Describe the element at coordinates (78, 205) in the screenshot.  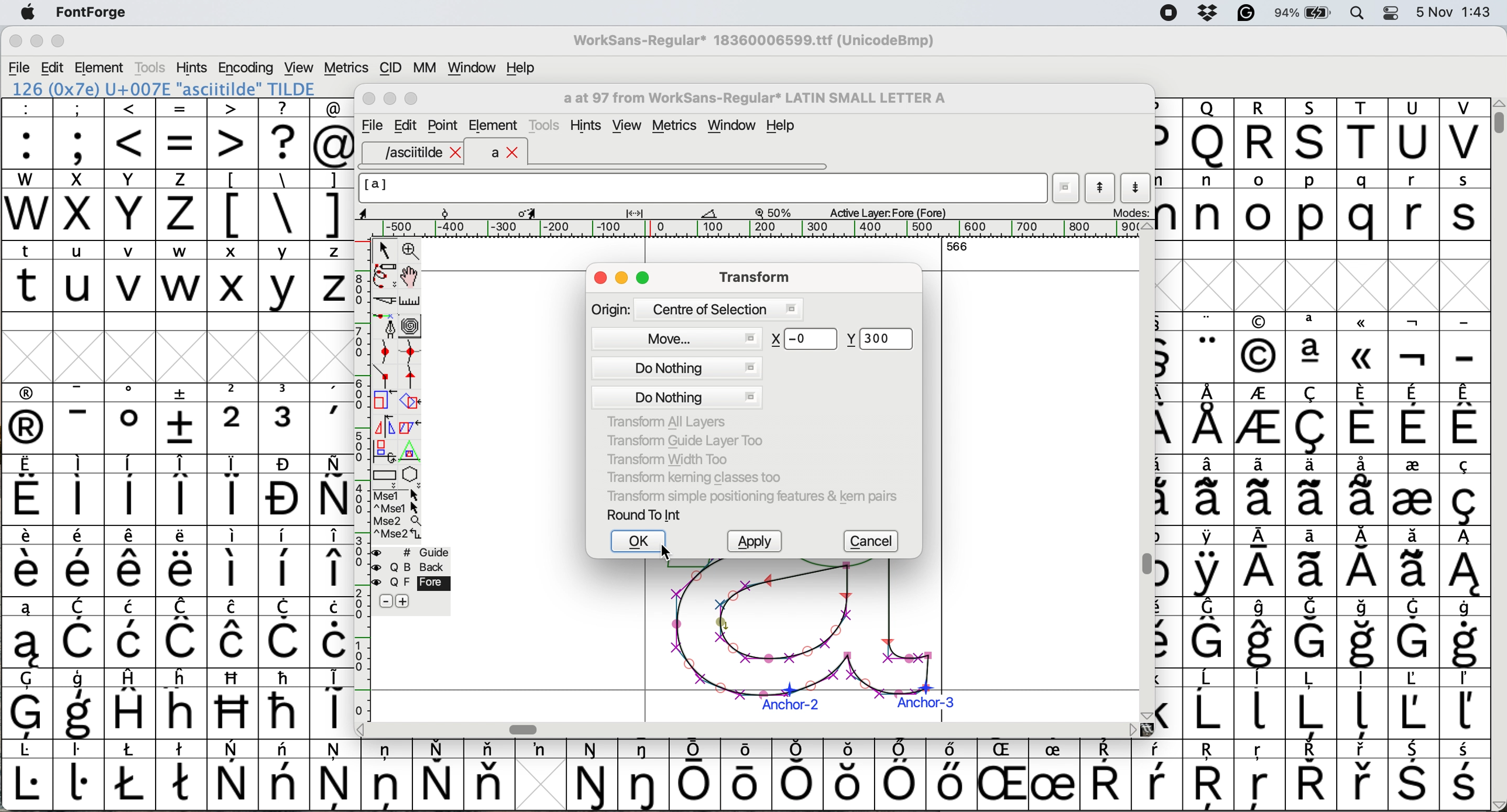
I see `x` at that location.